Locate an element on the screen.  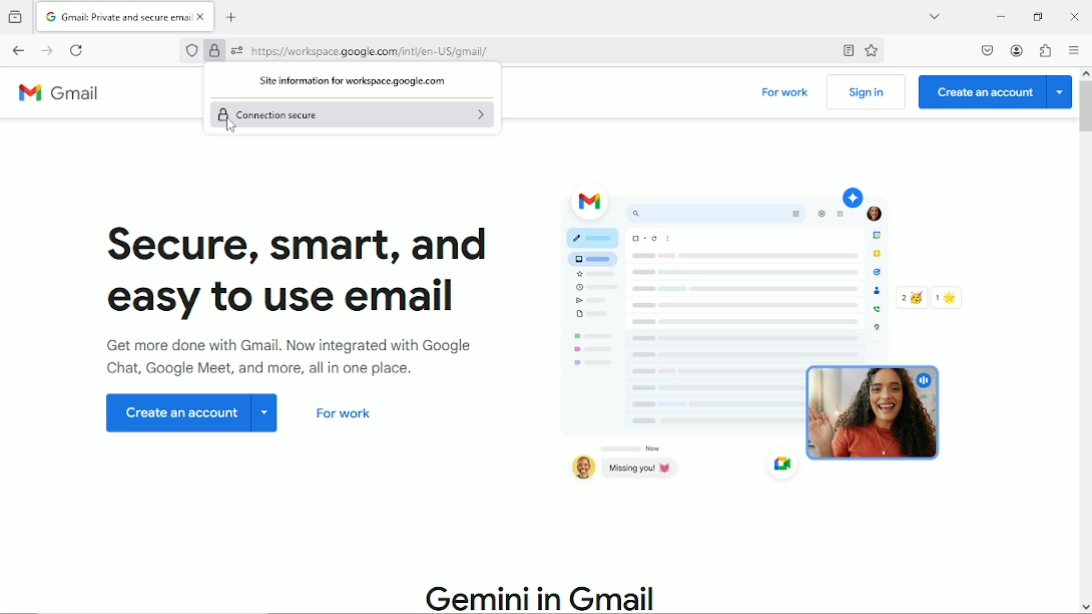
Gemini in Gmail is located at coordinates (546, 592).